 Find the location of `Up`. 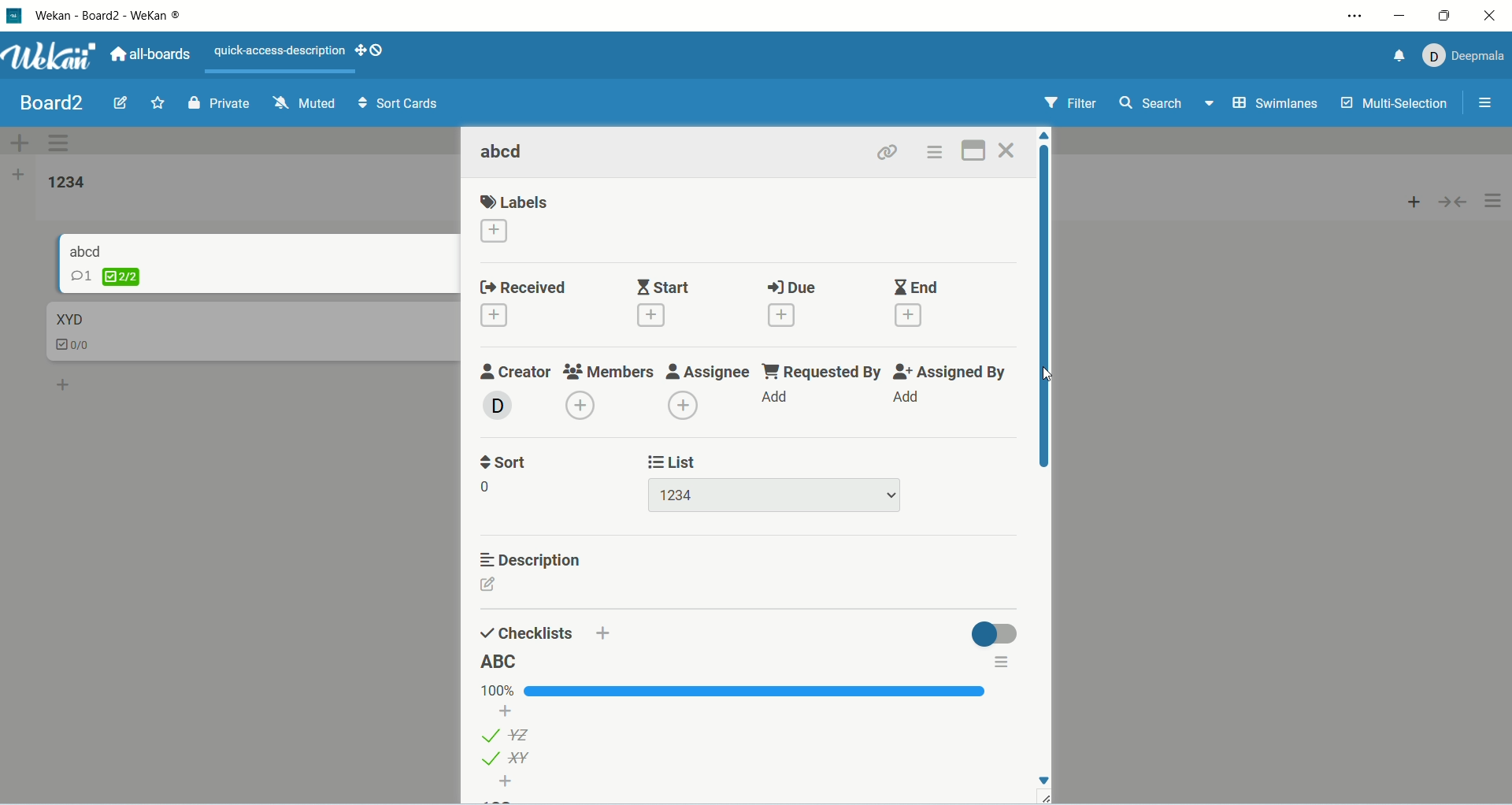

Up is located at coordinates (1045, 135).